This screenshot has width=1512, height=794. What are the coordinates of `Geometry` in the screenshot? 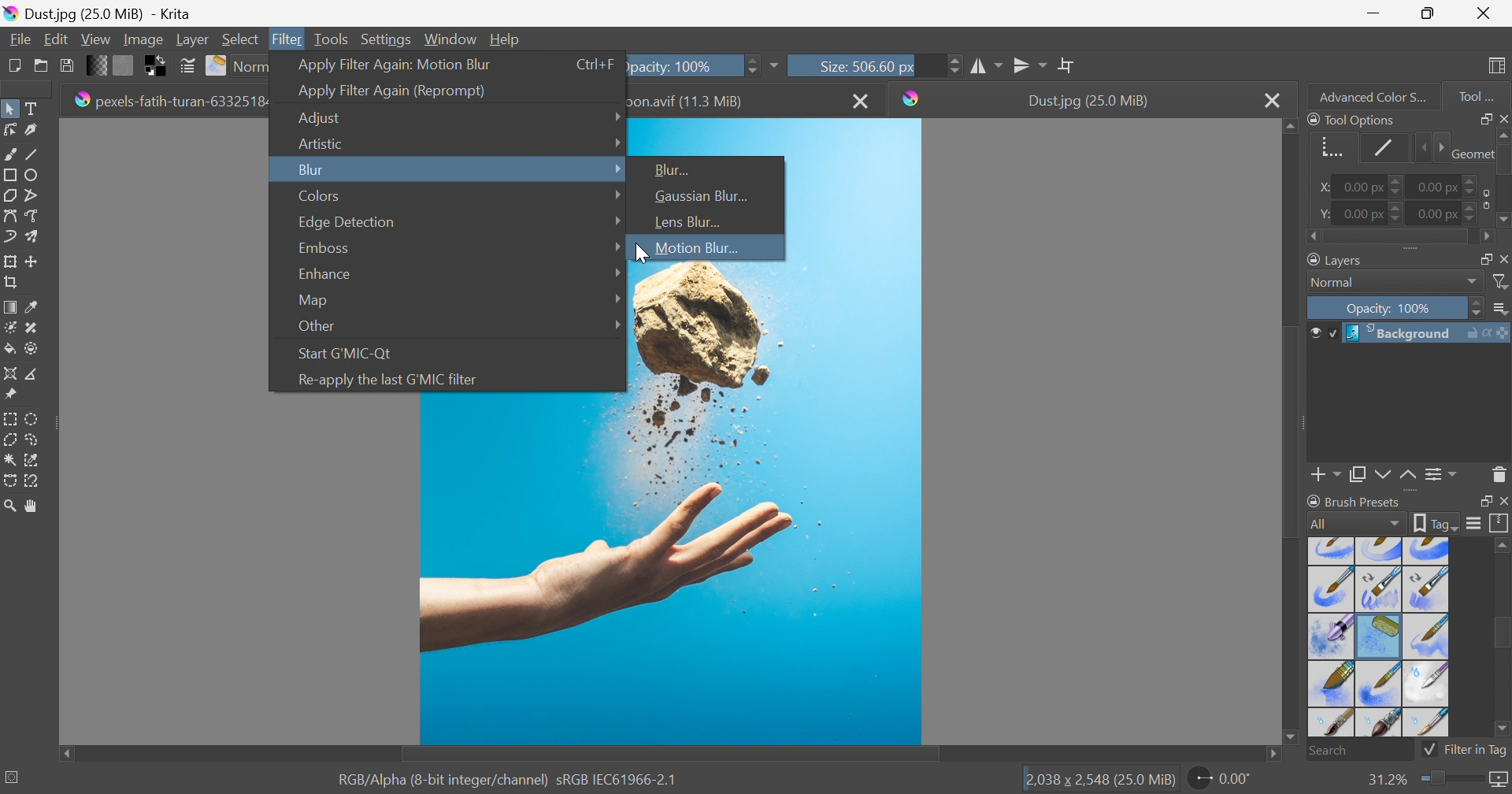 It's located at (1328, 145).